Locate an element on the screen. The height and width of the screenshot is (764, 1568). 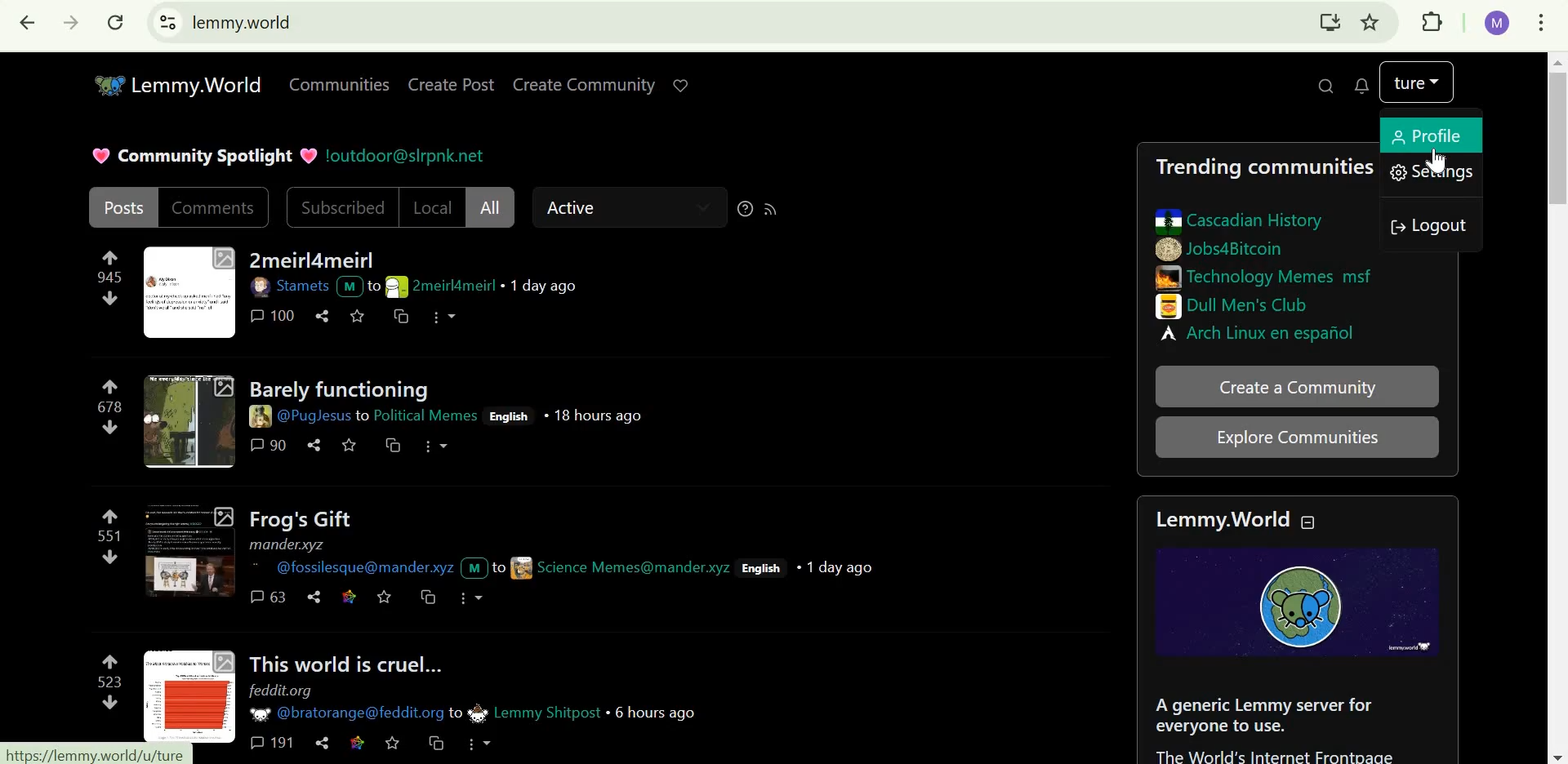
lemmy account is located at coordinates (1420, 78).